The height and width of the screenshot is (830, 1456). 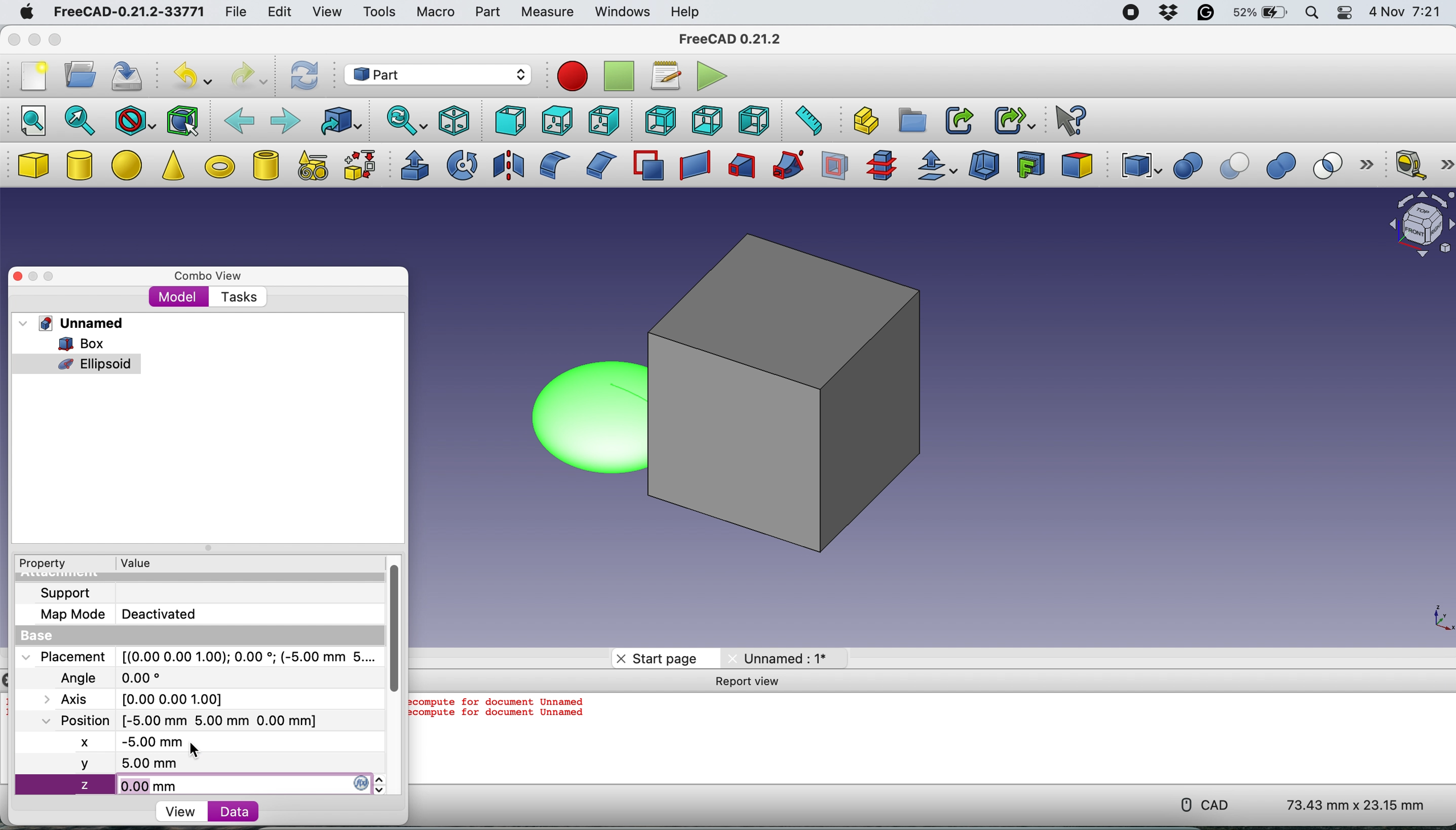 I want to click on stop recording macros, so click(x=621, y=77).